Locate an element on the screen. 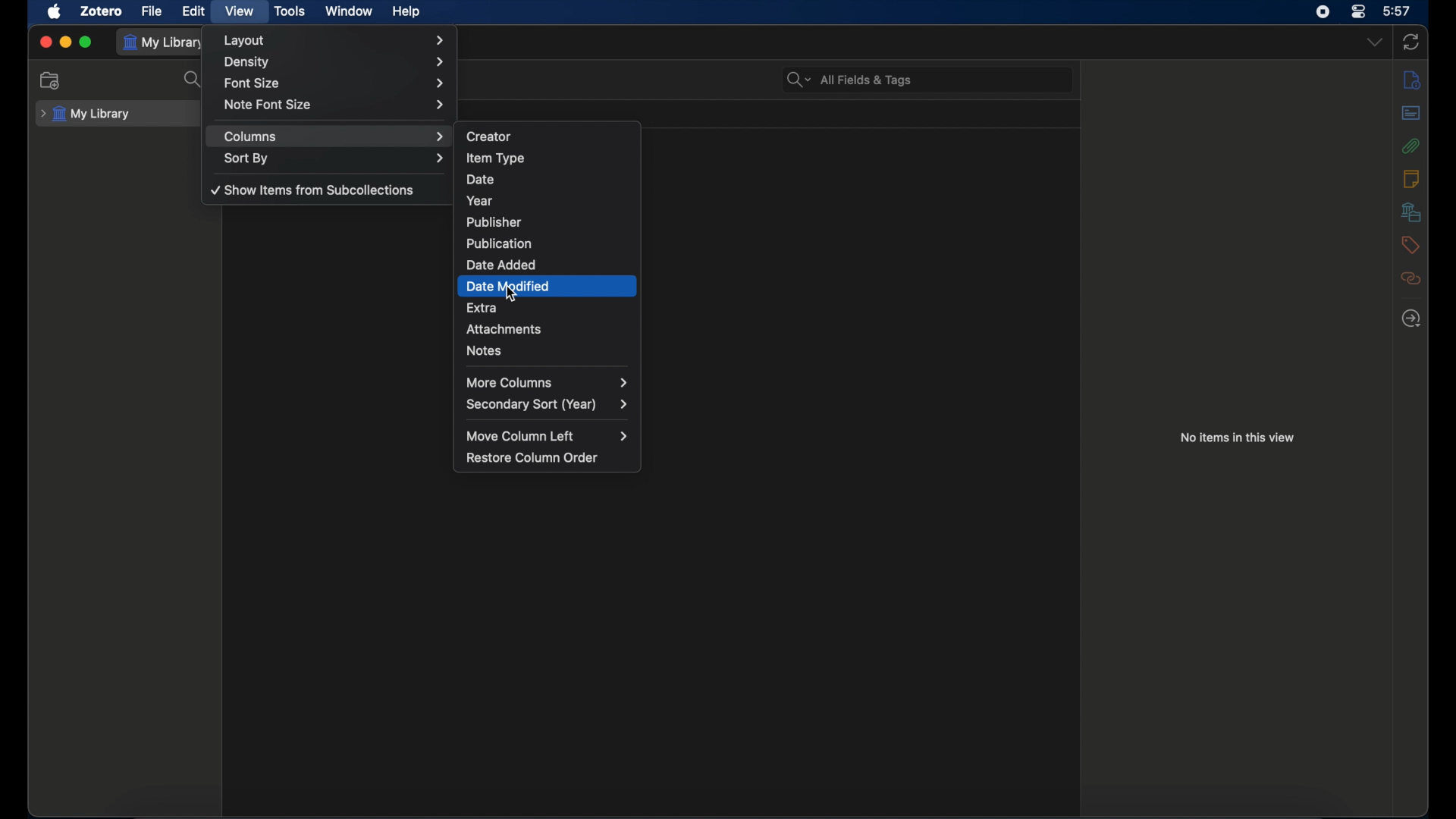 Image resolution: width=1456 pixels, height=819 pixels. search bar is located at coordinates (850, 80).